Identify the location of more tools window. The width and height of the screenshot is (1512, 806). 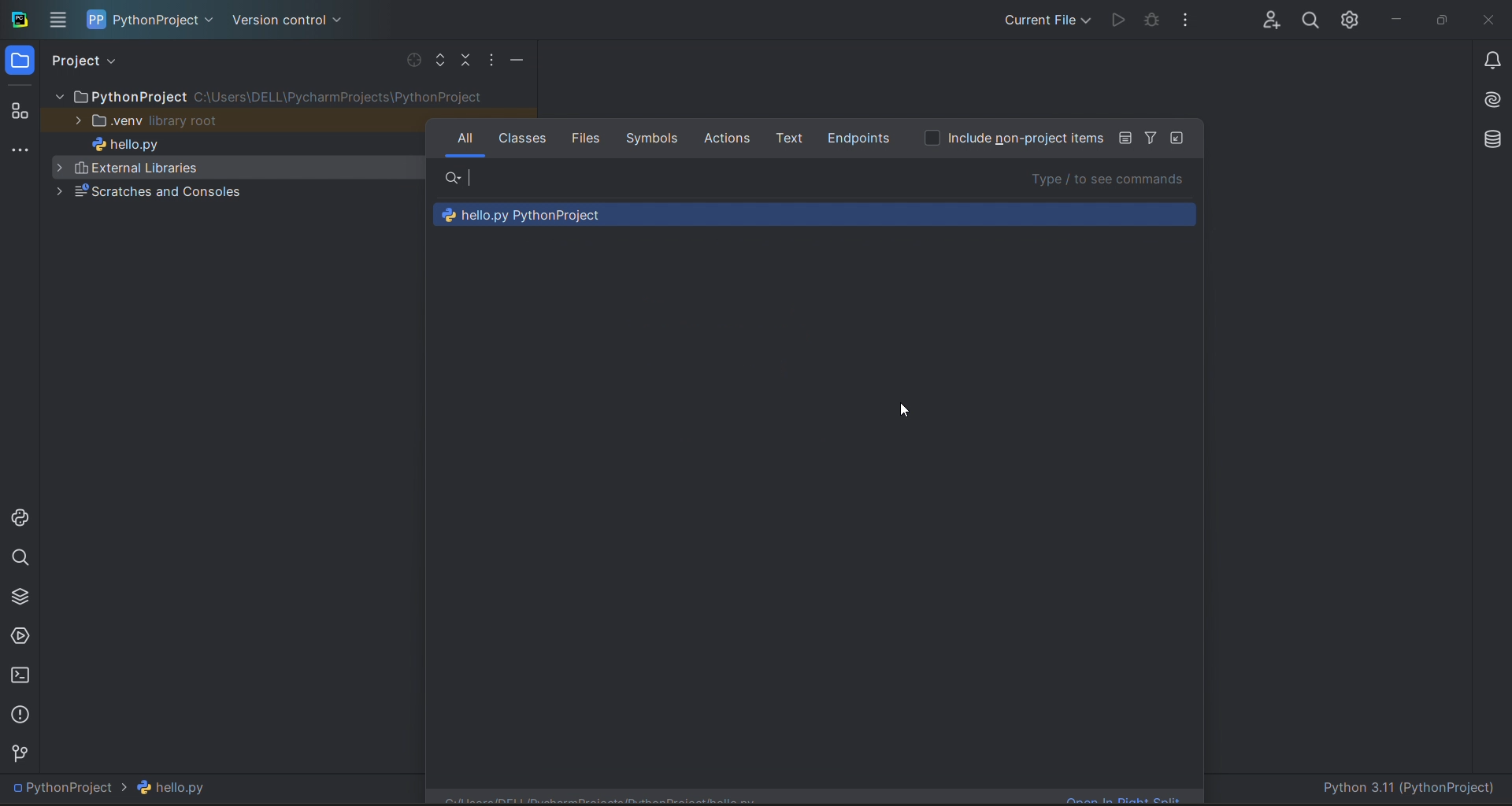
(19, 151).